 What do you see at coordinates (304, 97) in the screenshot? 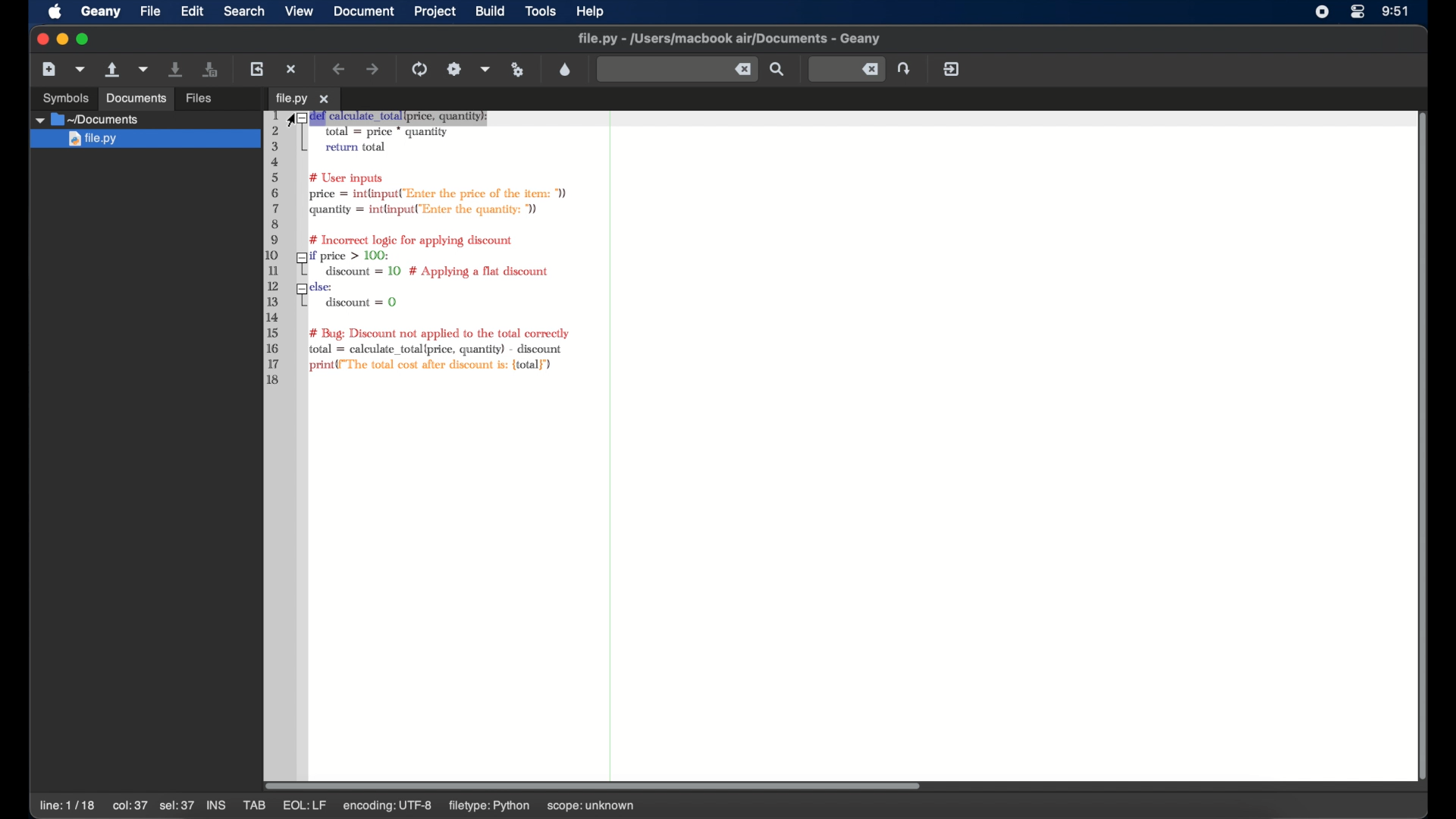
I see `tab` at bounding box center [304, 97].